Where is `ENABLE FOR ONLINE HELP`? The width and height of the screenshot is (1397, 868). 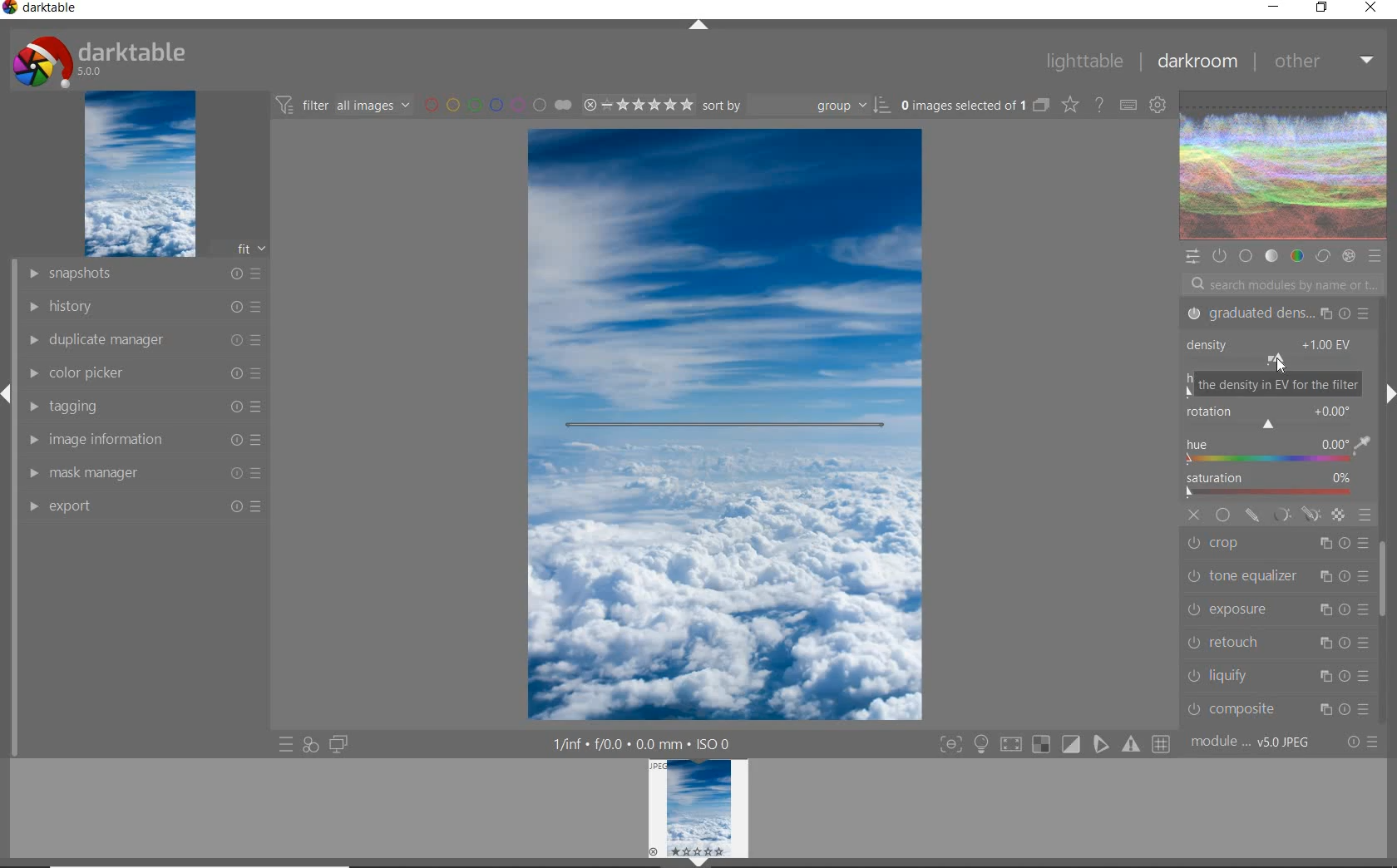
ENABLE FOR ONLINE HELP is located at coordinates (1098, 104).